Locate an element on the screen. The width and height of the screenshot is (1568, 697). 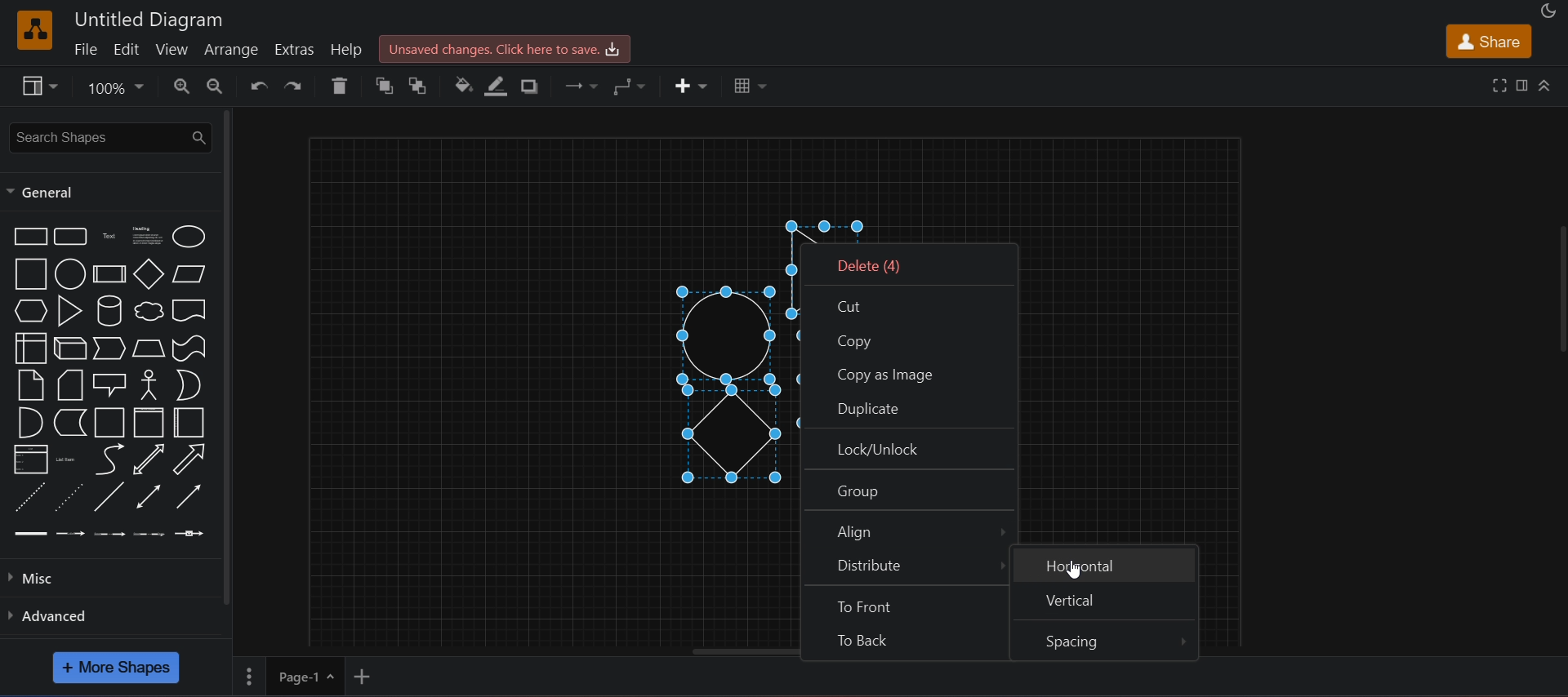
dashed line is located at coordinates (29, 496).